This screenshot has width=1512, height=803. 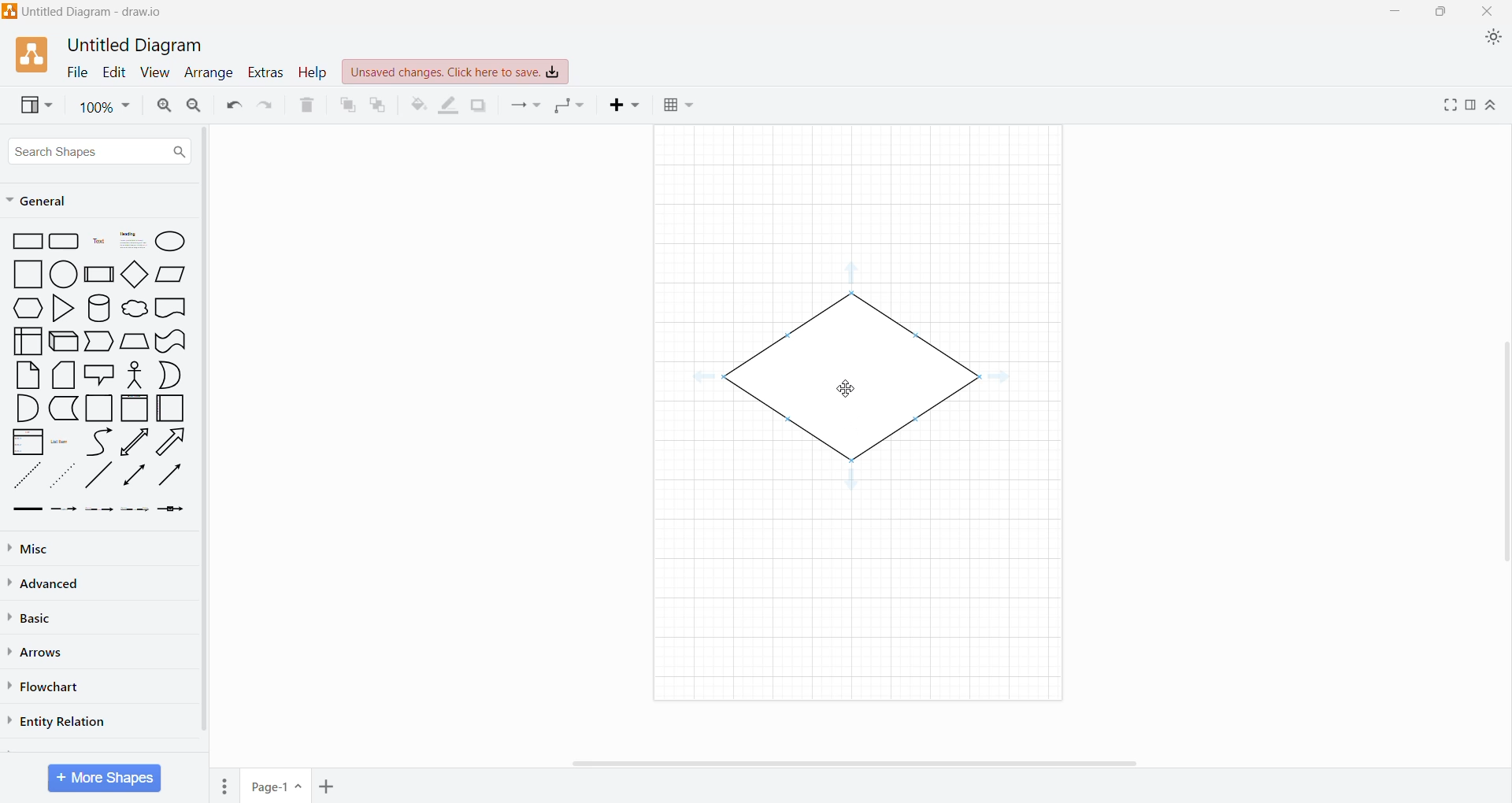 What do you see at coordinates (526, 105) in the screenshot?
I see `Connection` at bounding box center [526, 105].